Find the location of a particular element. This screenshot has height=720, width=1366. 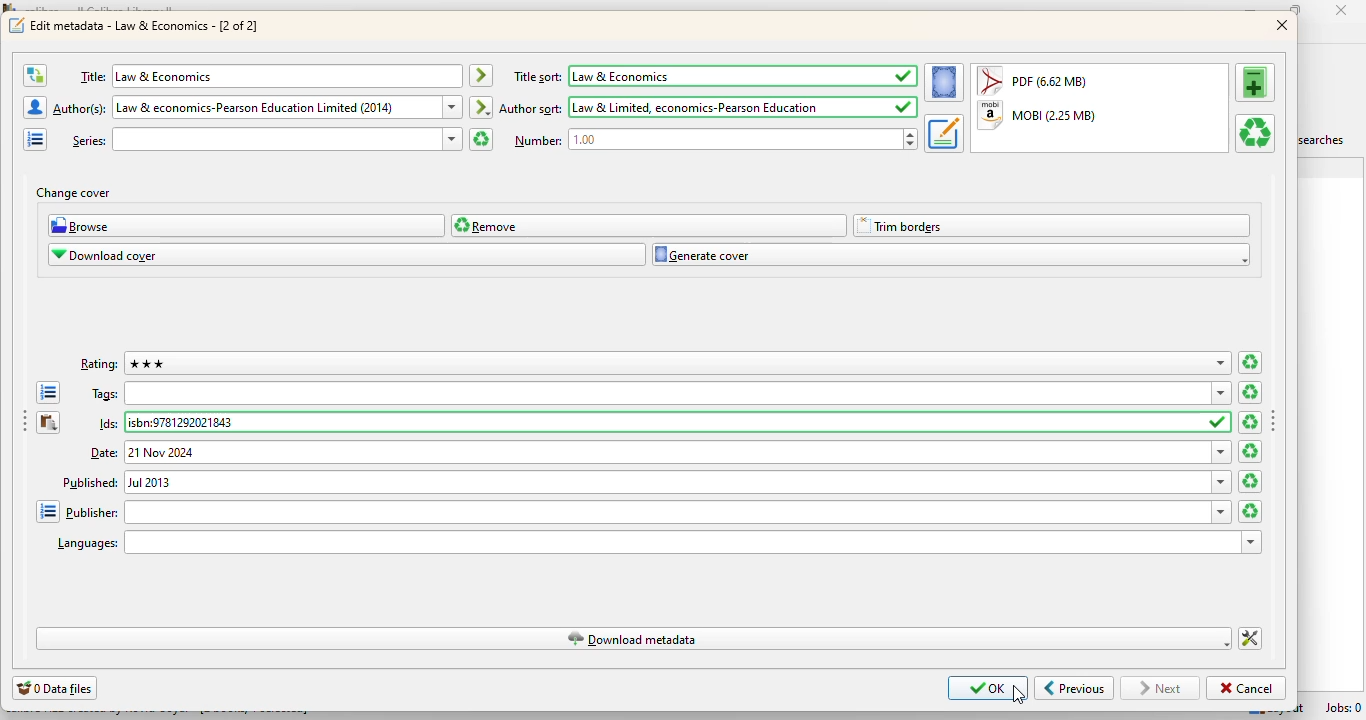

number: 1.00 is located at coordinates (713, 140).